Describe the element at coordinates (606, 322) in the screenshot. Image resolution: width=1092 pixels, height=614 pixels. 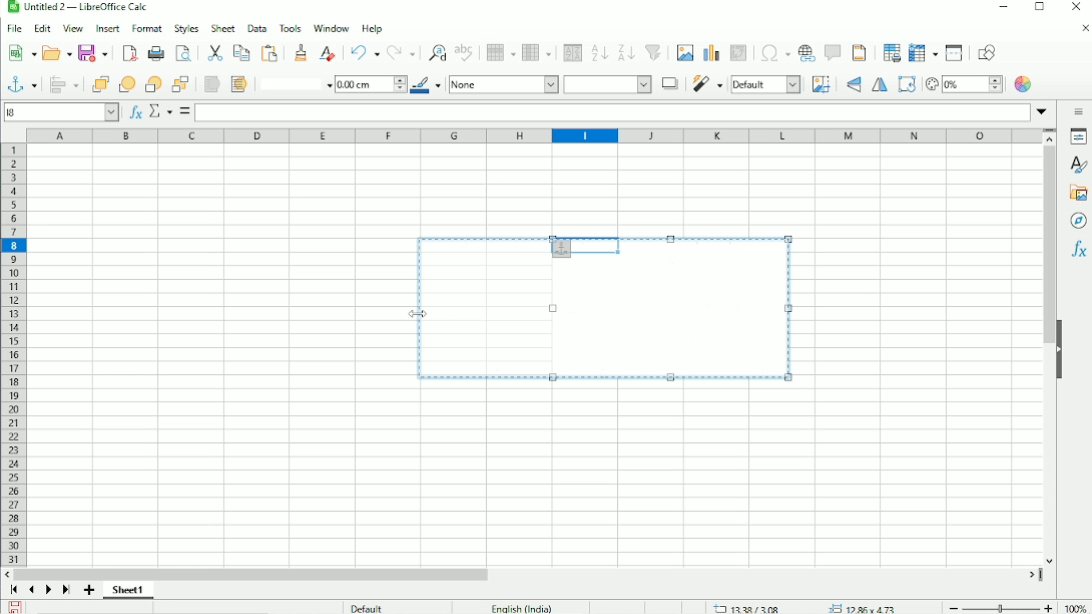
I see `Image Resized` at that location.